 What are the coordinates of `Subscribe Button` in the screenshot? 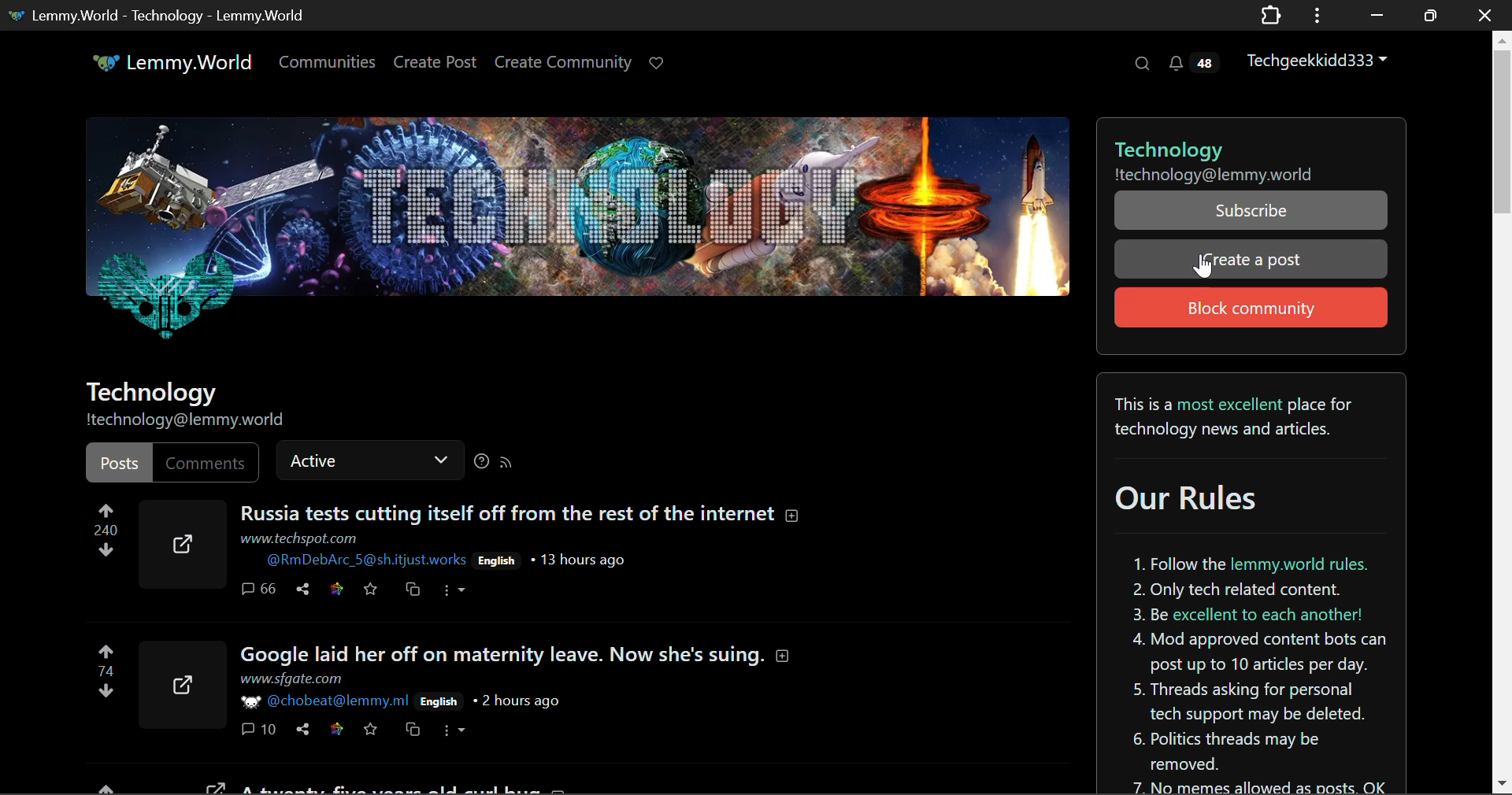 It's located at (1249, 210).